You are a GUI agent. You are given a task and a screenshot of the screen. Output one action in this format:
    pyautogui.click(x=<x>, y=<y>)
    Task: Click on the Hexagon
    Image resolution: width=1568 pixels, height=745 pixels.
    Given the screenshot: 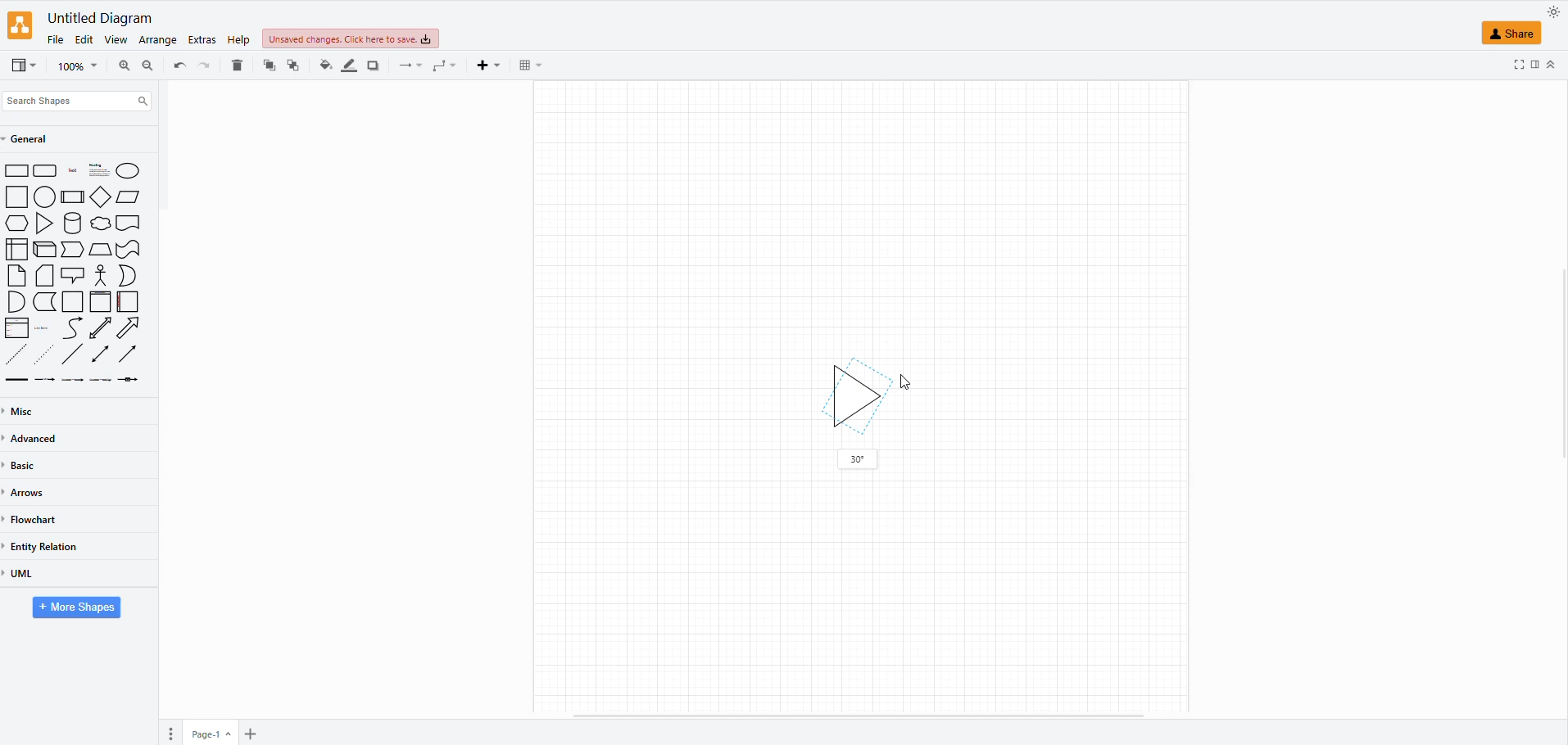 What is the action you would take?
    pyautogui.click(x=16, y=223)
    